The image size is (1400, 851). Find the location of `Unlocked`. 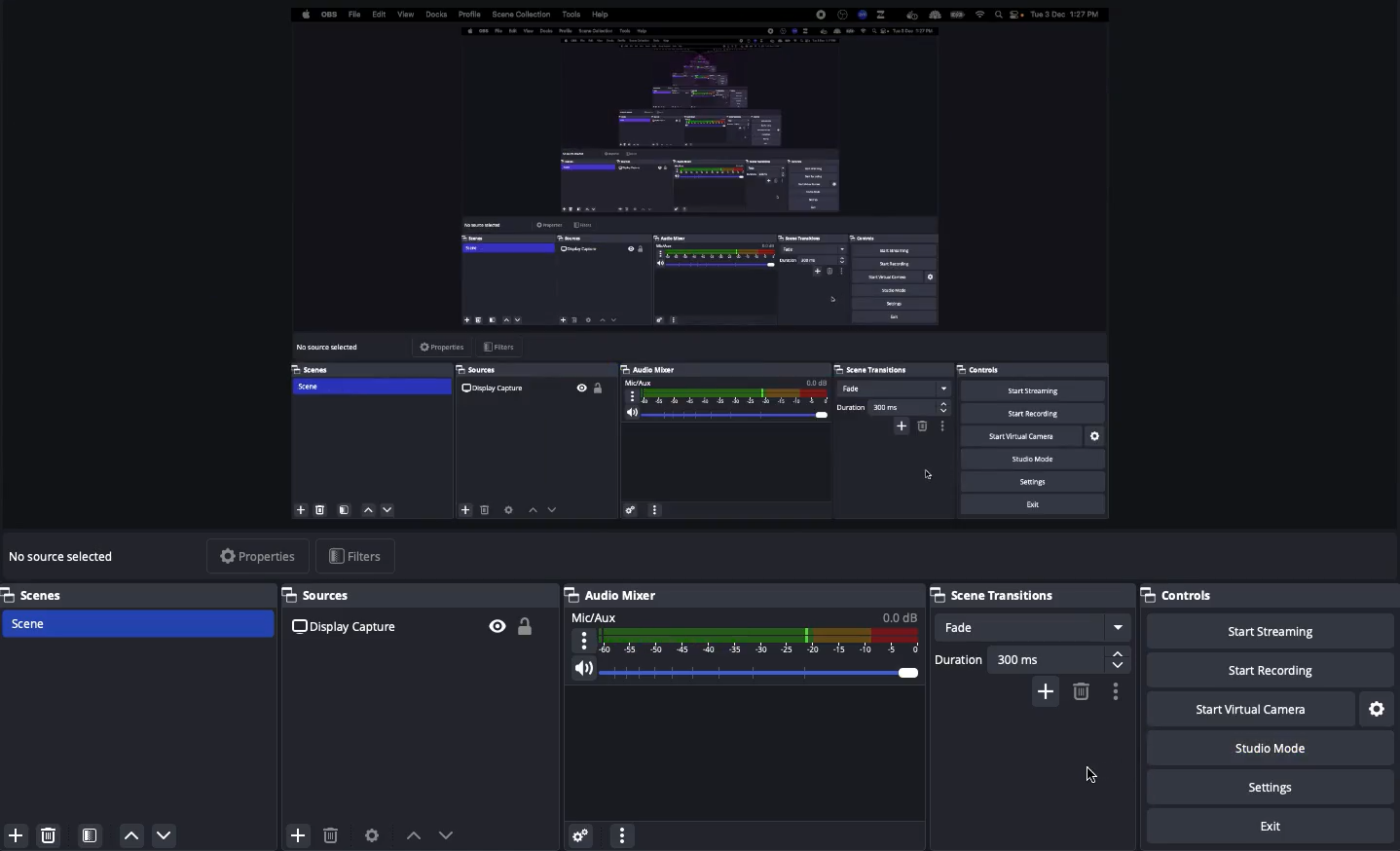

Unlocked is located at coordinates (525, 625).